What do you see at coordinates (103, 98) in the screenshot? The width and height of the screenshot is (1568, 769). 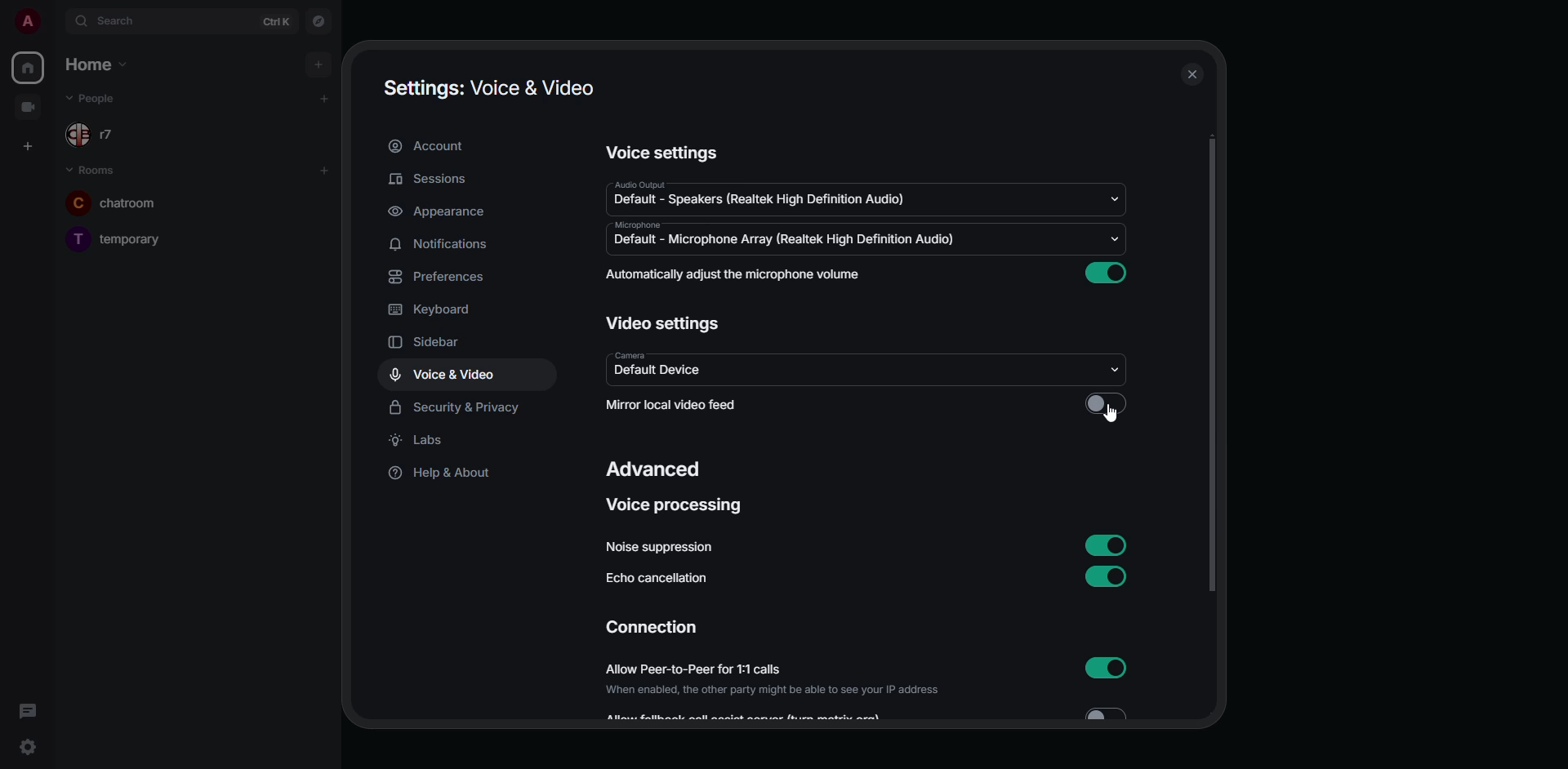 I see `people` at bounding box center [103, 98].